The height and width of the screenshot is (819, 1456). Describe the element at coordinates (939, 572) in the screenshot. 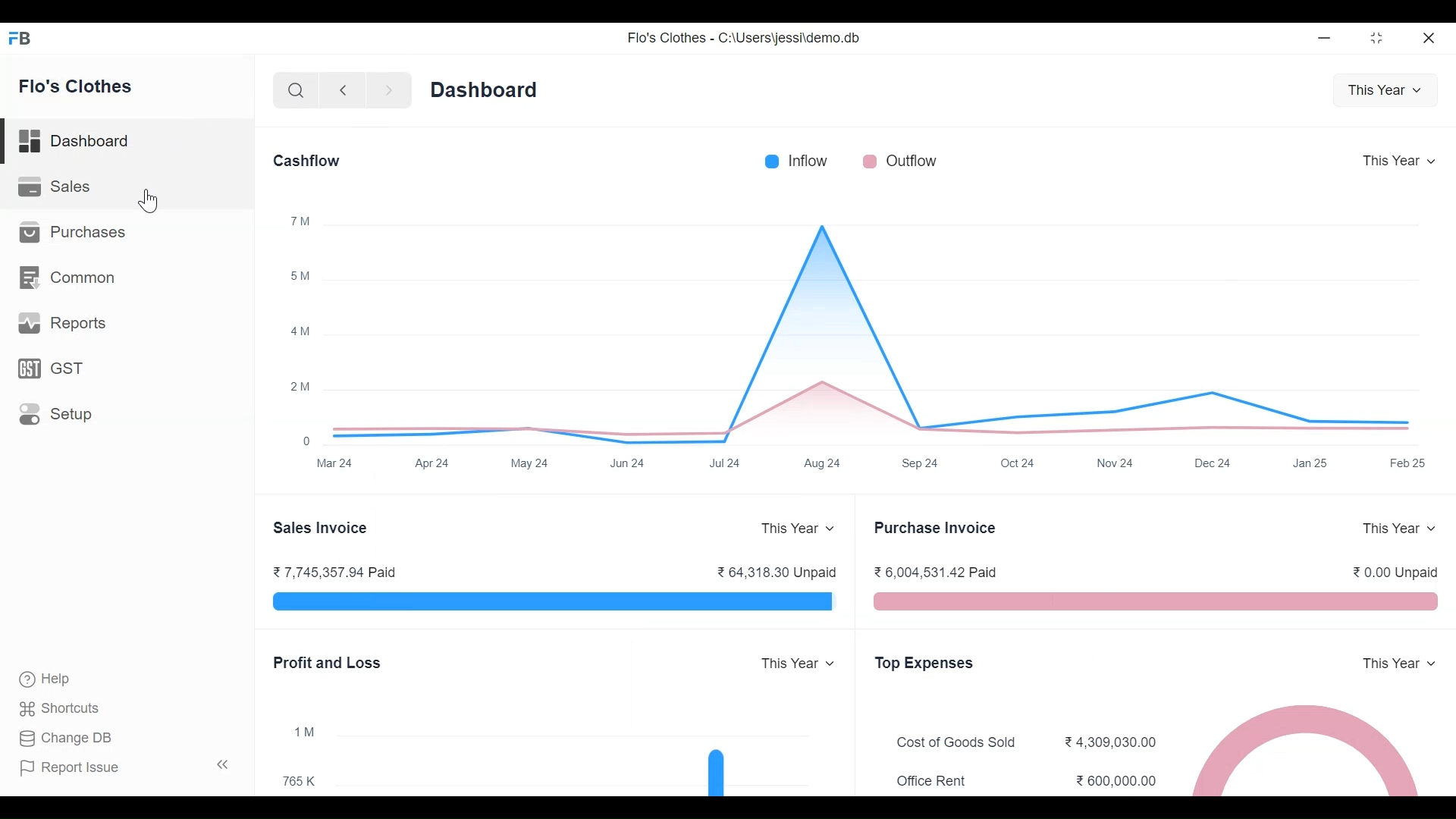

I see `6,004,531.42 Paid` at that location.